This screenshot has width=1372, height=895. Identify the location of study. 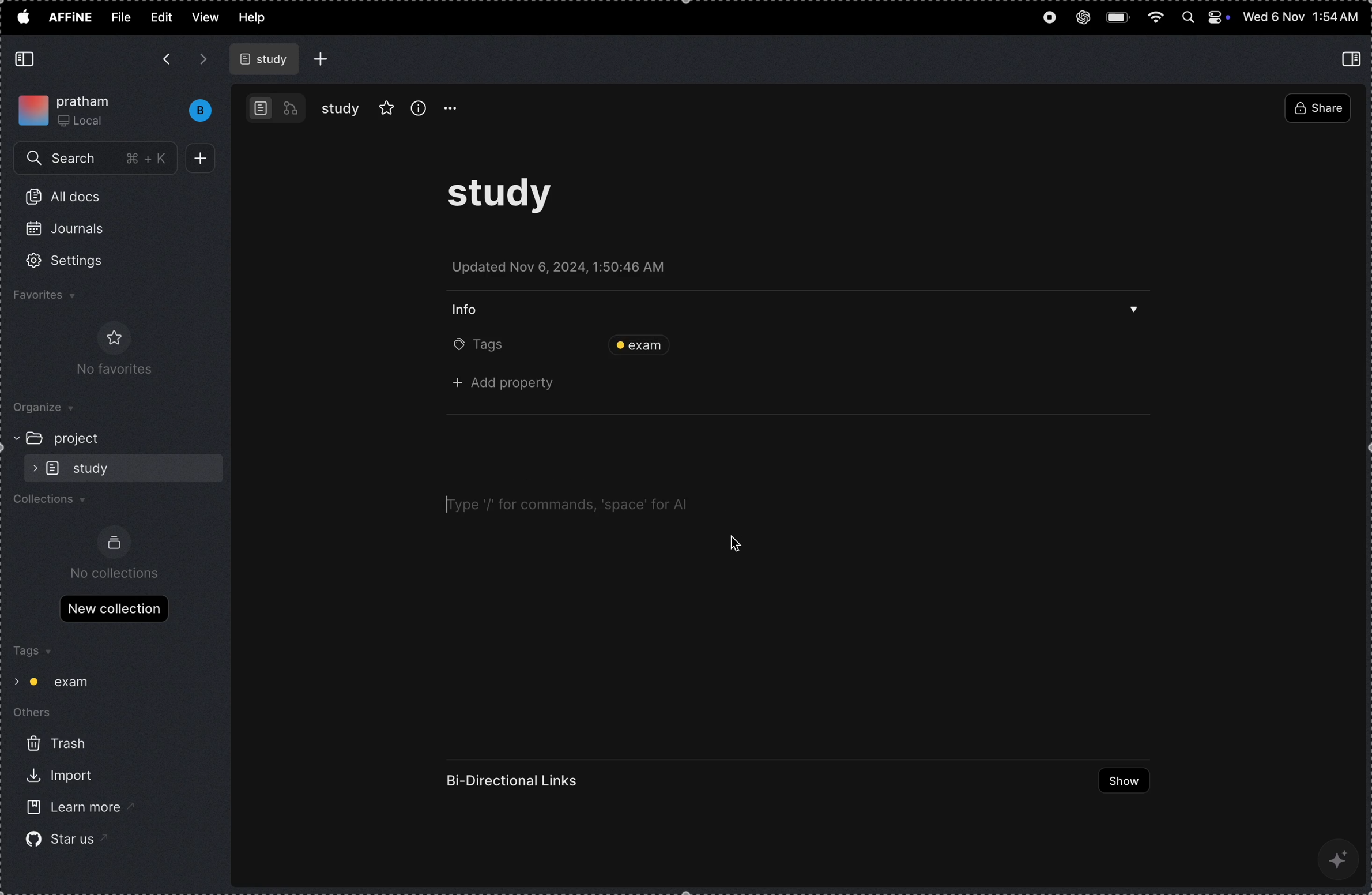
(341, 108).